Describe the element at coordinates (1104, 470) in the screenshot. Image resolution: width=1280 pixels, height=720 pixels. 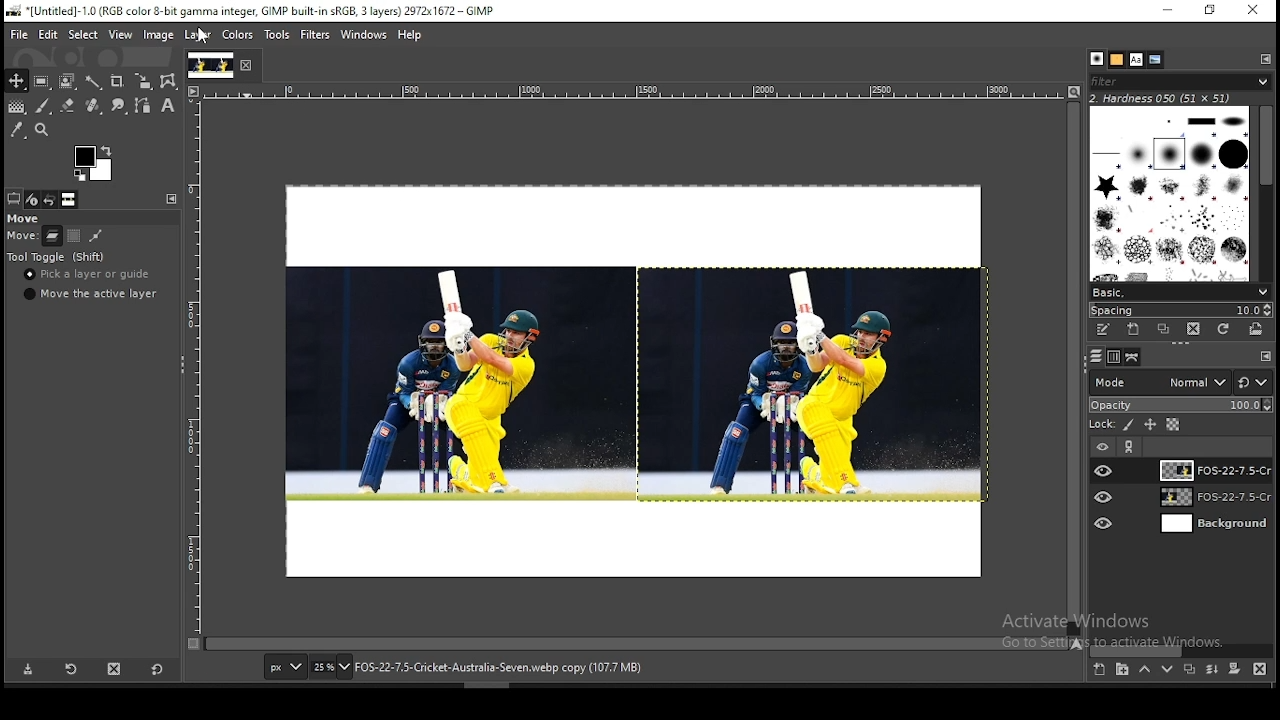
I see `layer visibility on/off` at that location.